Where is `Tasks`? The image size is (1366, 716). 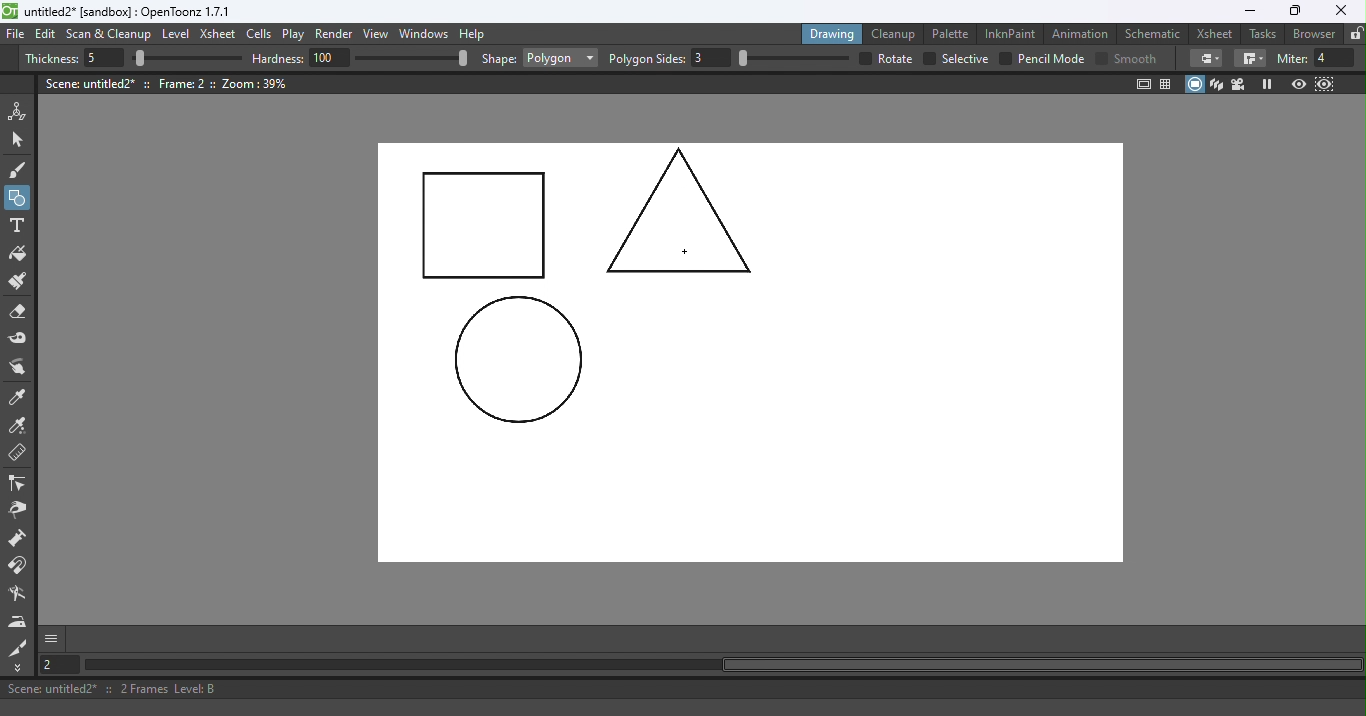
Tasks is located at coordinates (1264, 34).